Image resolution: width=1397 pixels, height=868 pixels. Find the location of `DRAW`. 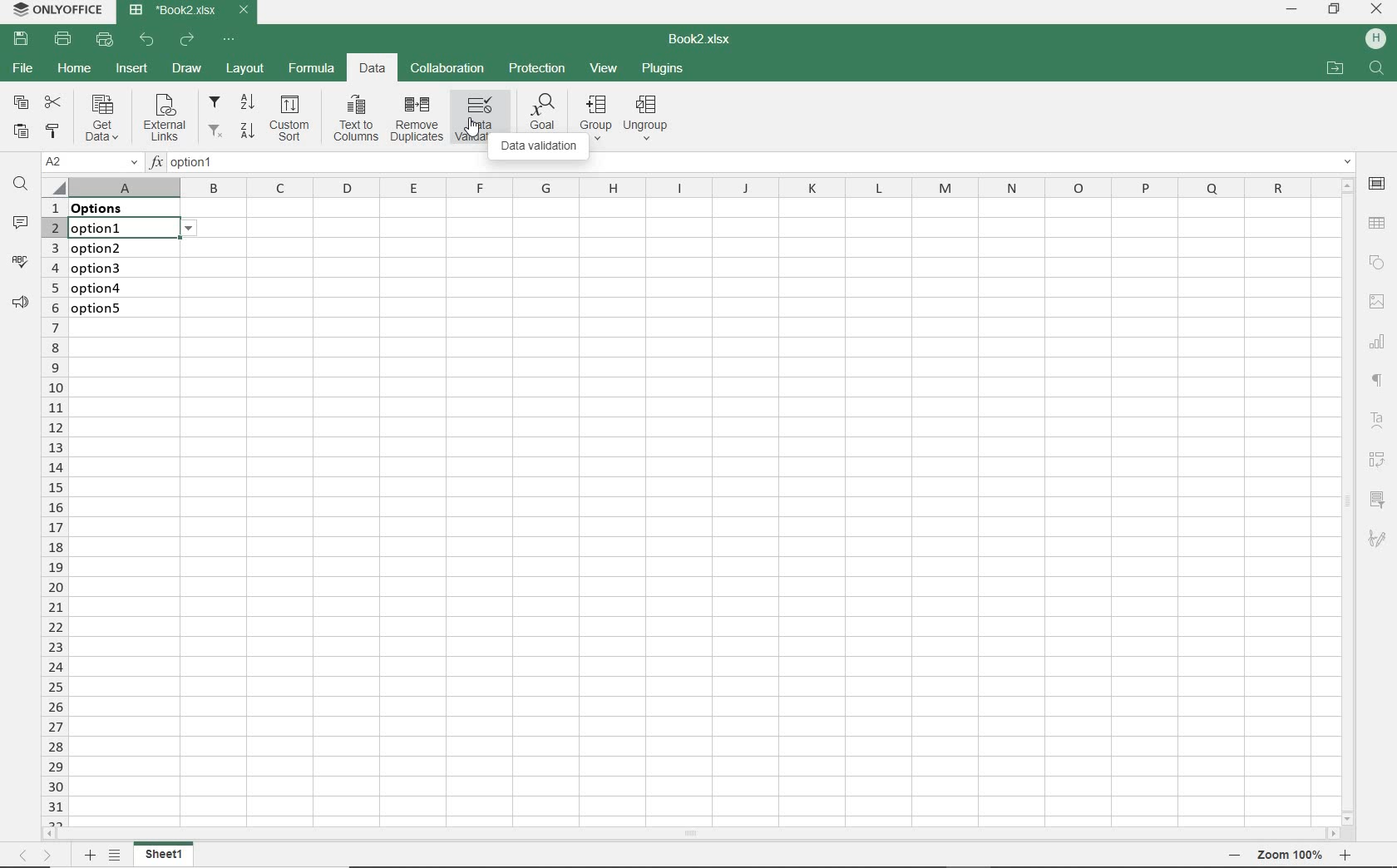

DRAW is located at coordinates (187, 68).